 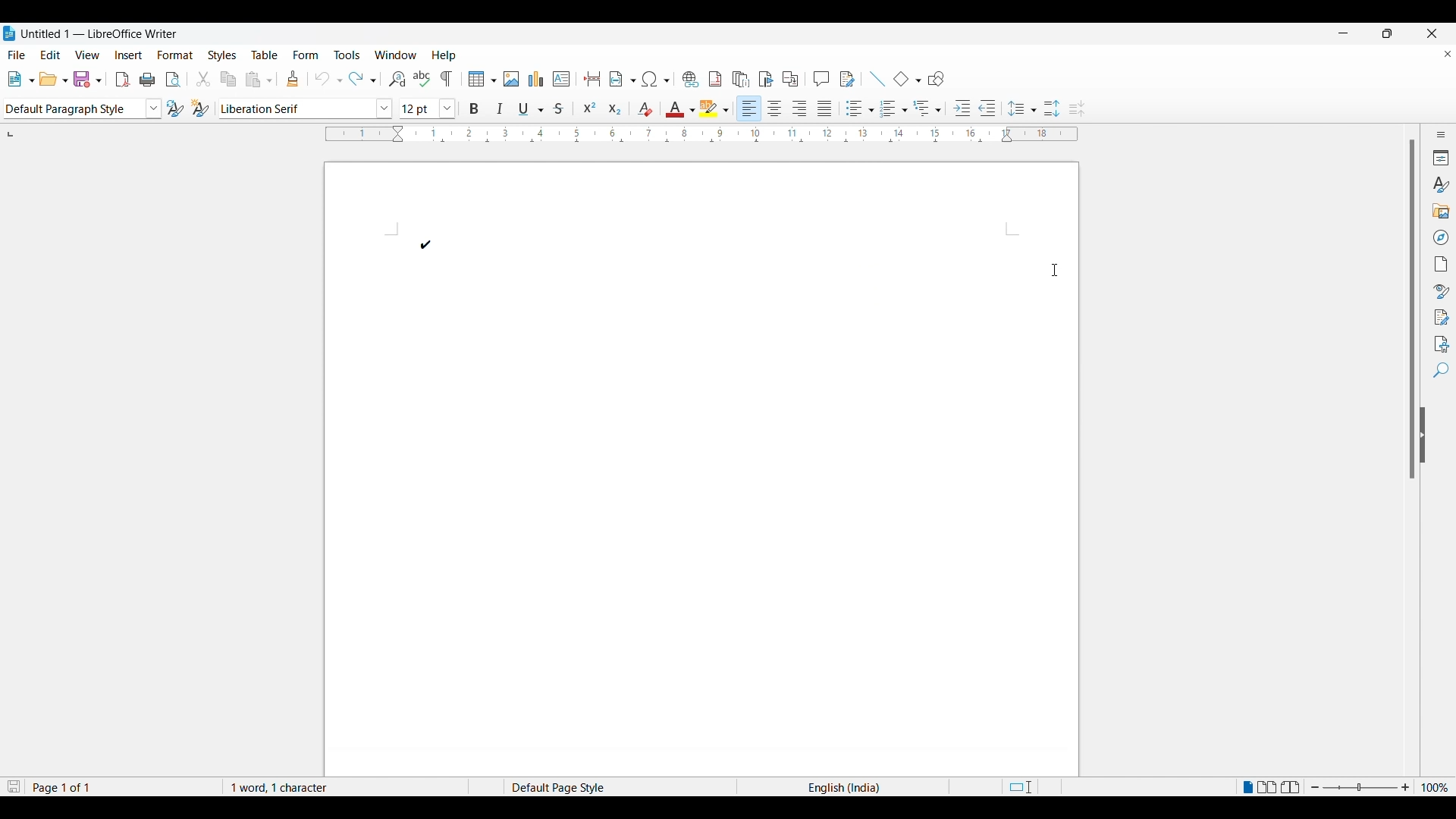 What do you see at coordinates (992, 105) in the screenshot?
I see `Decrease indent` at bounding box center [992, 105].